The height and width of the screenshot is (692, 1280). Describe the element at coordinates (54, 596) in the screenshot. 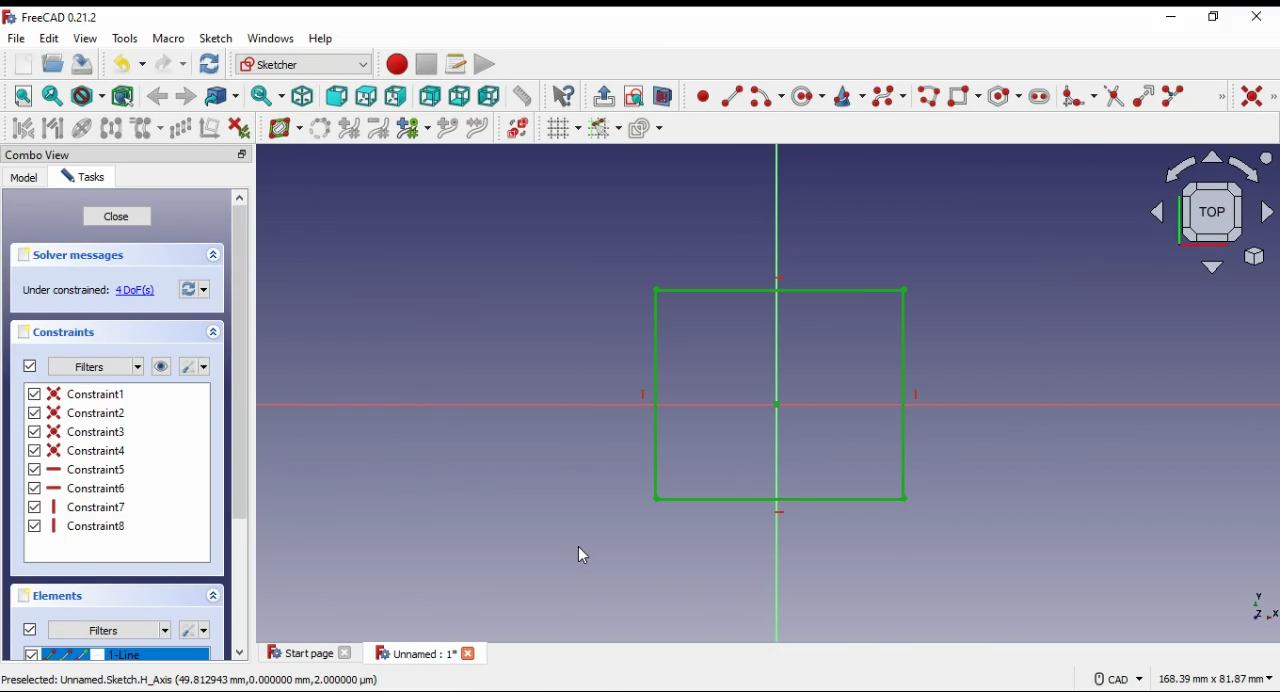

I see `elements` at that location.